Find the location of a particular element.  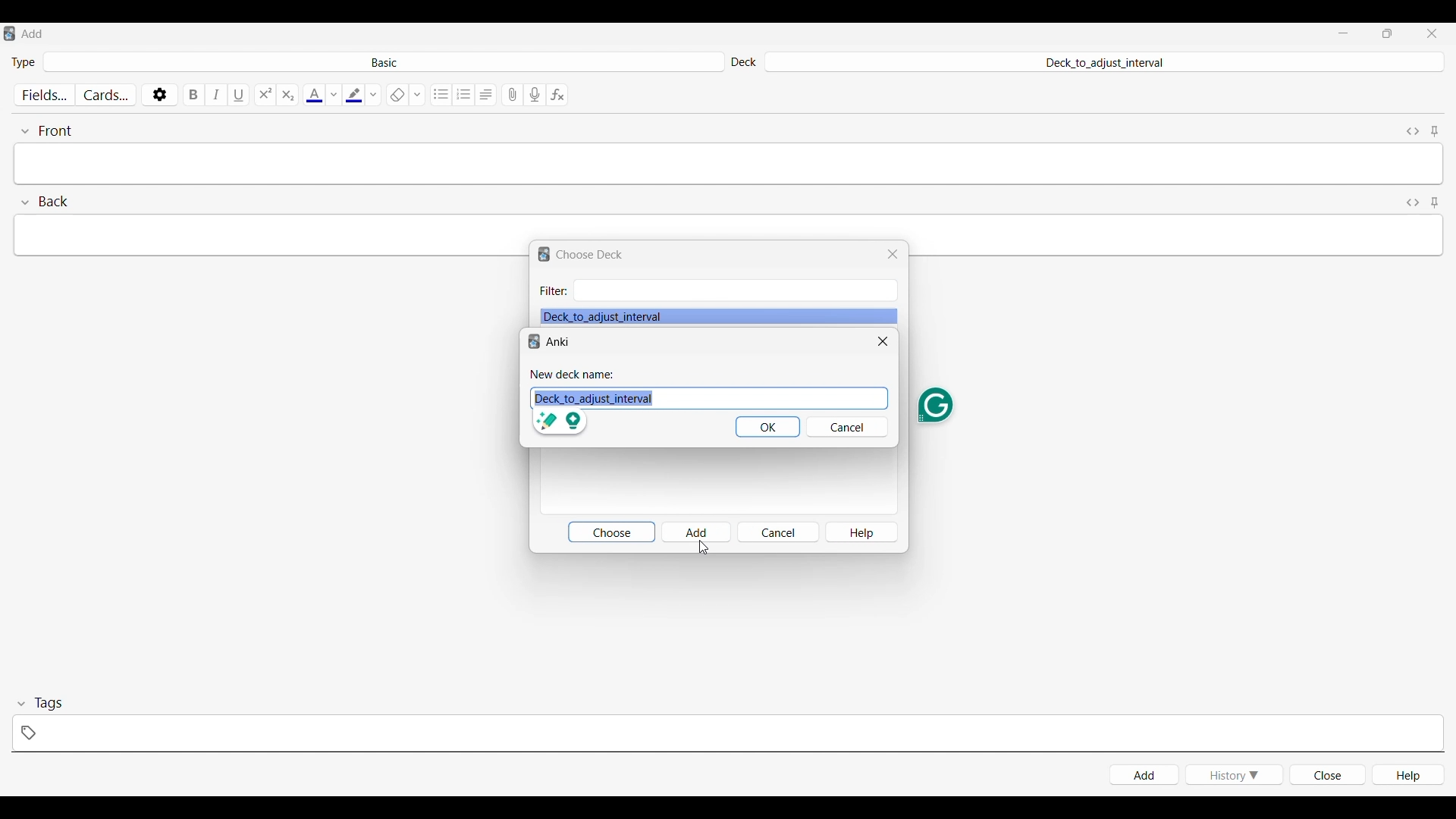

Record audio is located at coordinates (535, 95).